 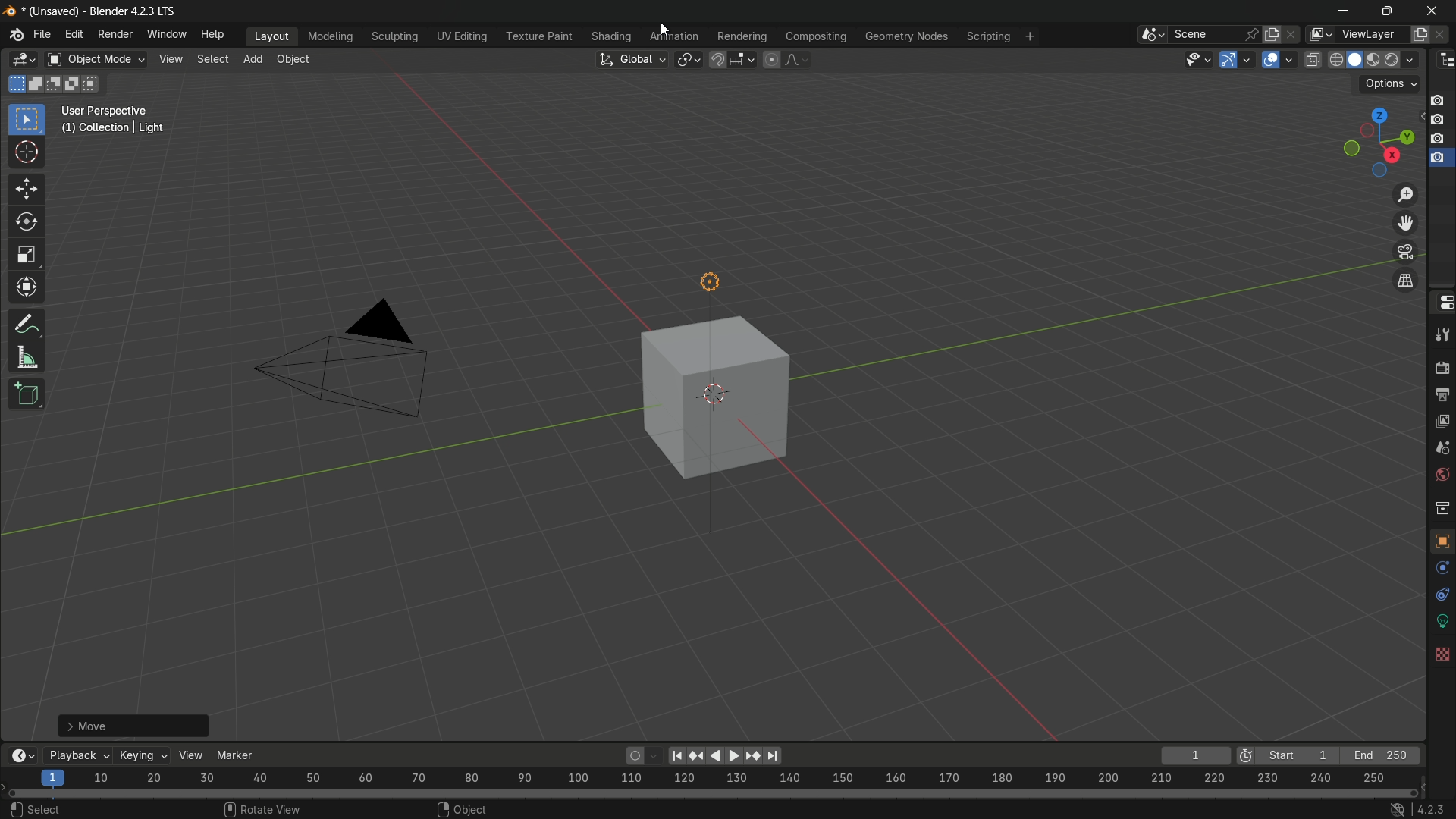 What do you see at coordinates (189, 755) in the screenshot?
I see `view` at bounding box center [189, 755].